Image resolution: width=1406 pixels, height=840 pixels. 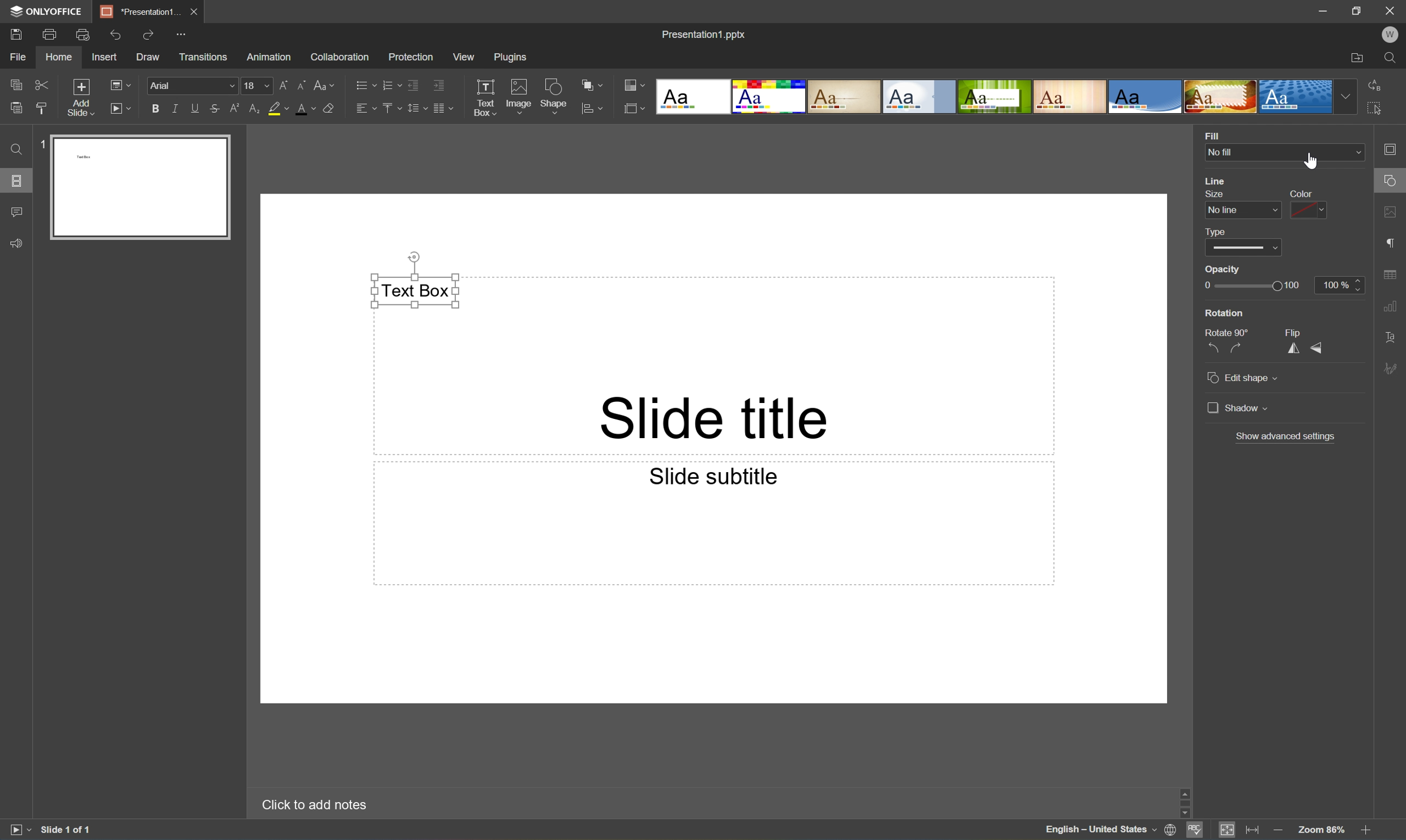 I want to click on Flip, so click(x=1294, y=332).